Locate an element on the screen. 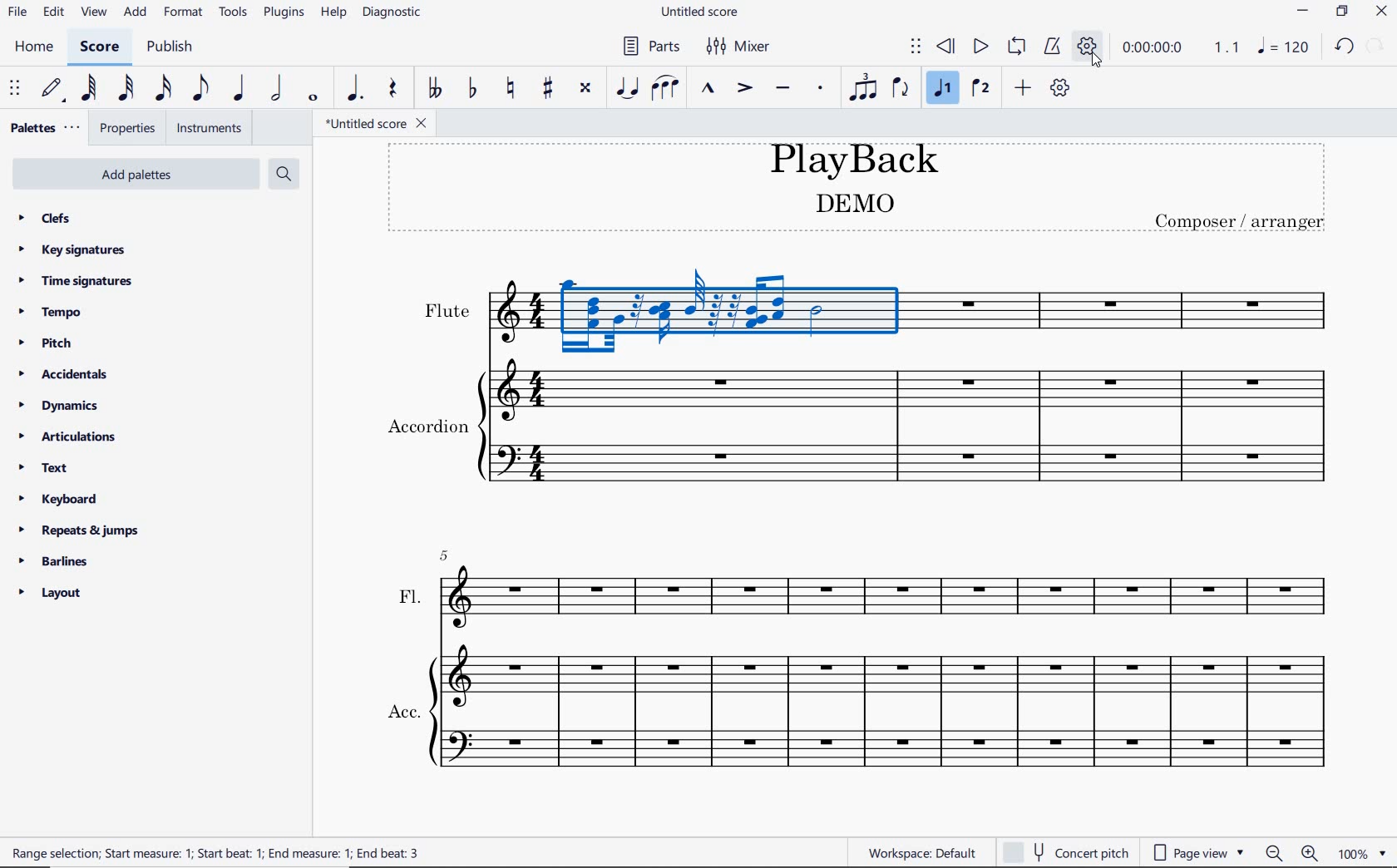 The height and width of the screenshot is (868, 1397). instruments is located at coordinates (210, 128).